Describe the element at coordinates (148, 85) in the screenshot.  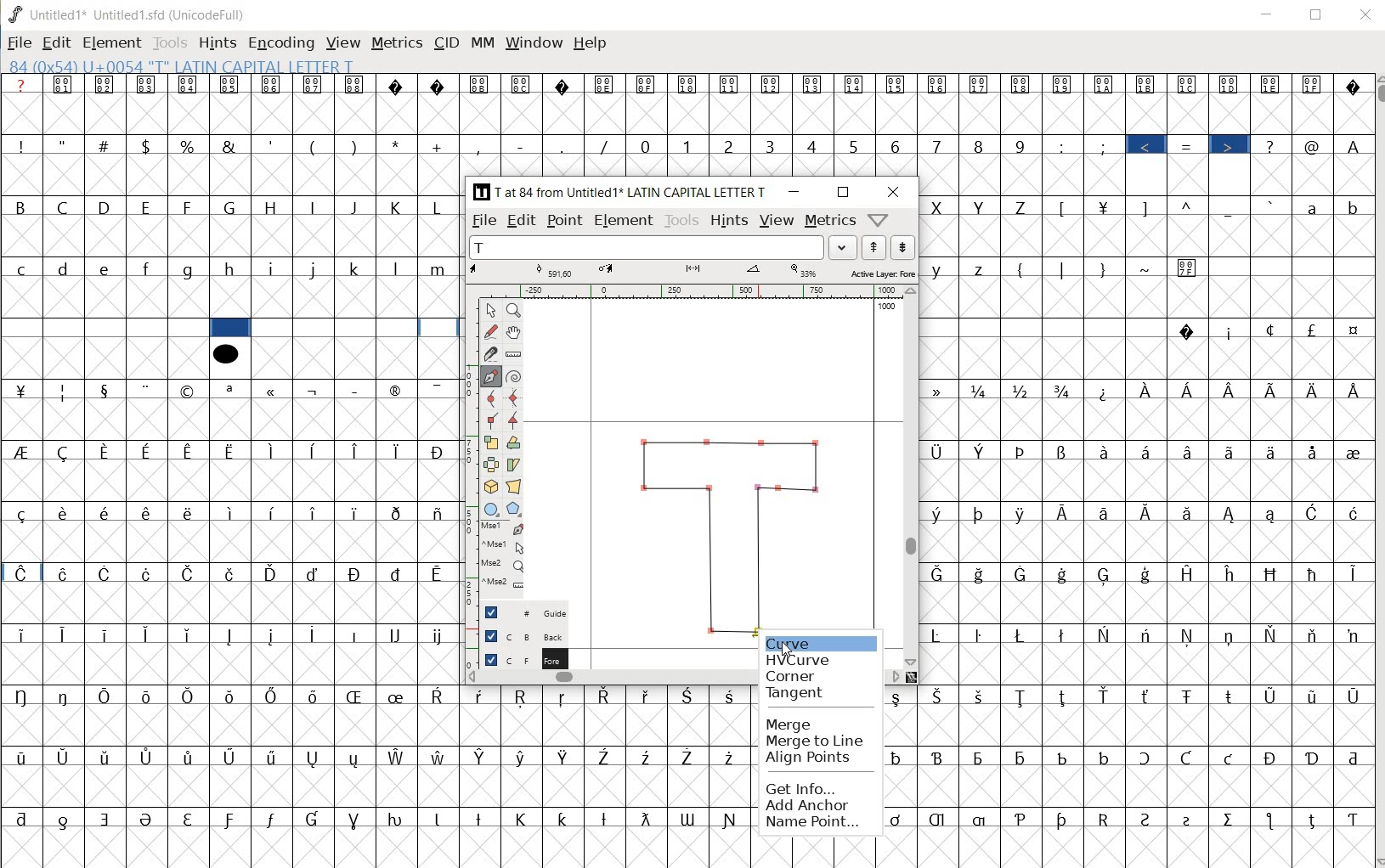
I see `Symbol` at that location.